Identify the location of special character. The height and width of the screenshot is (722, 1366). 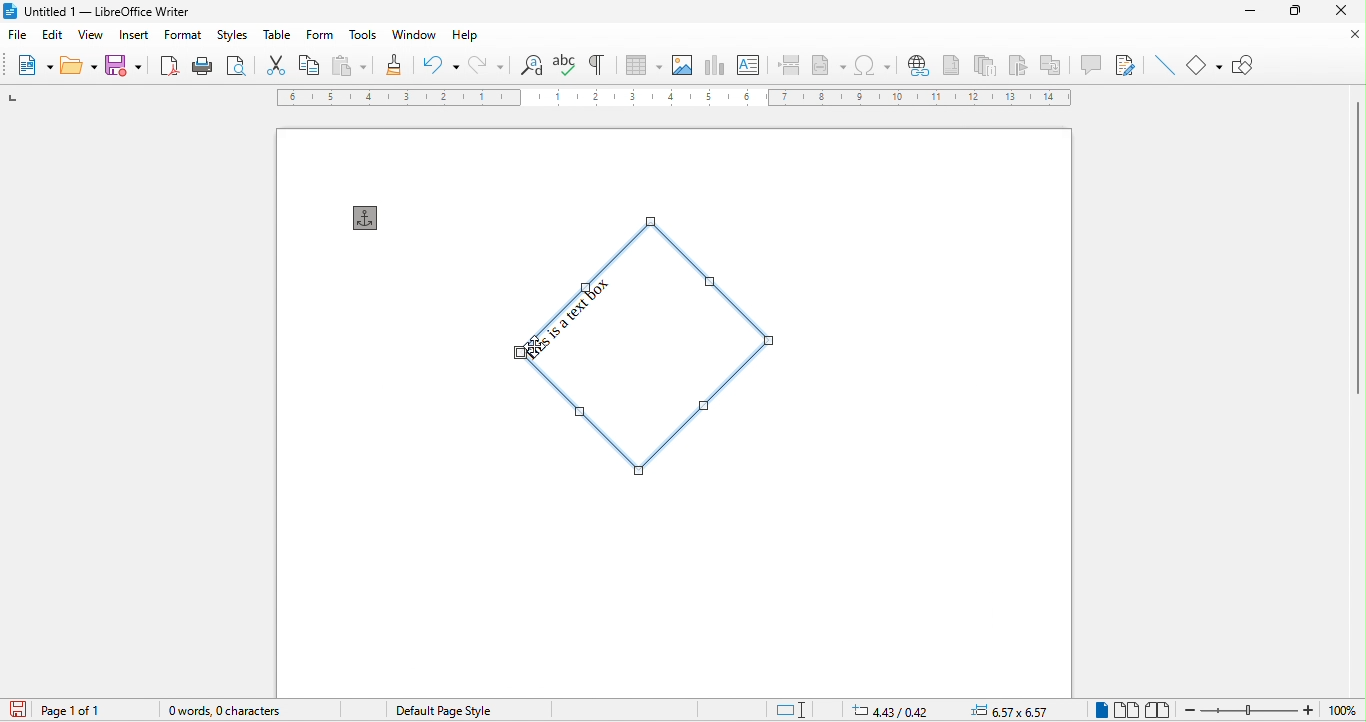
(875, 66).